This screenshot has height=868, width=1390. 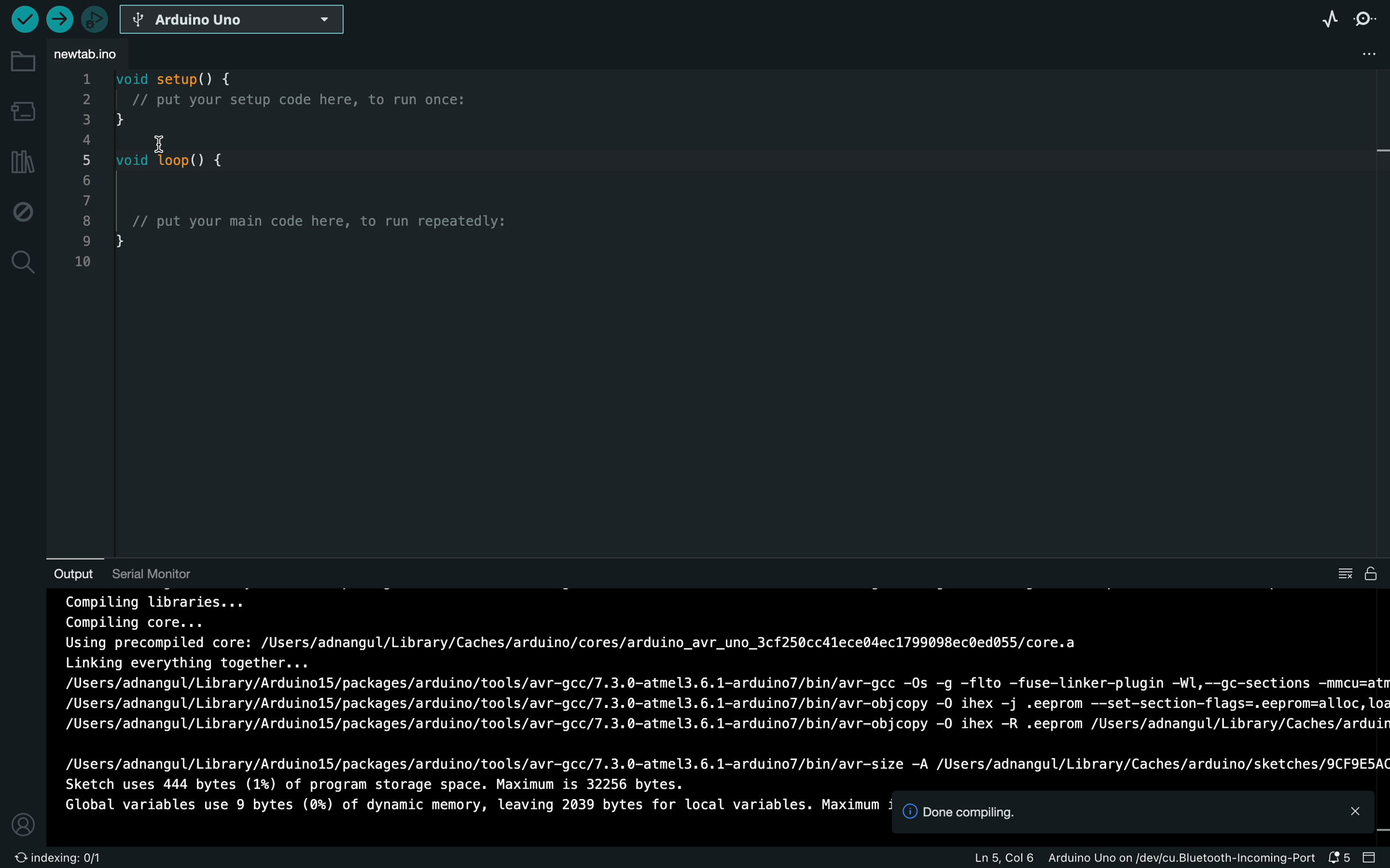 What do you see at coordinates (235, 22) in the screenshot?
I see `select board` at bounding box center [235, 22].